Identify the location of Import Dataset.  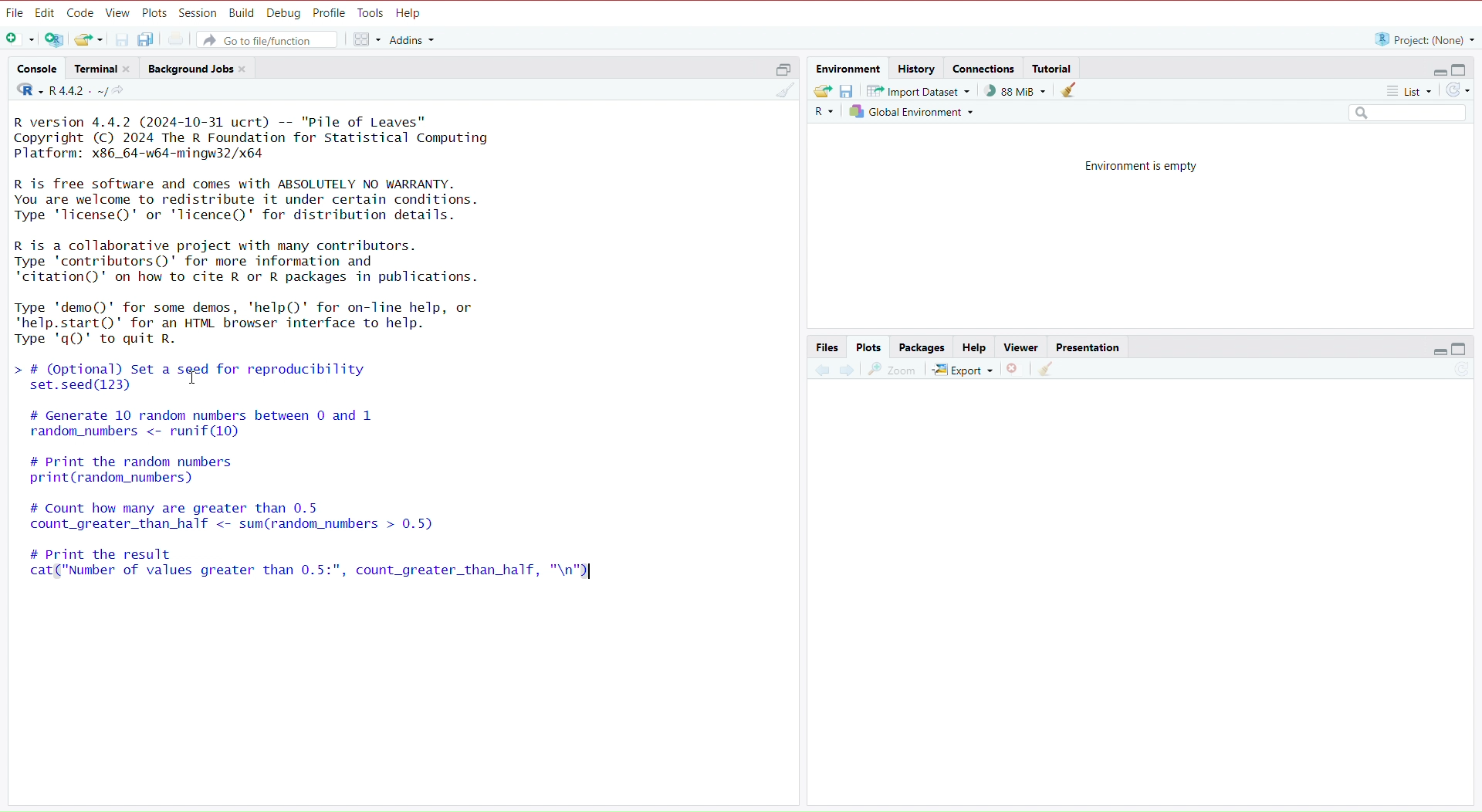
(915, 90).